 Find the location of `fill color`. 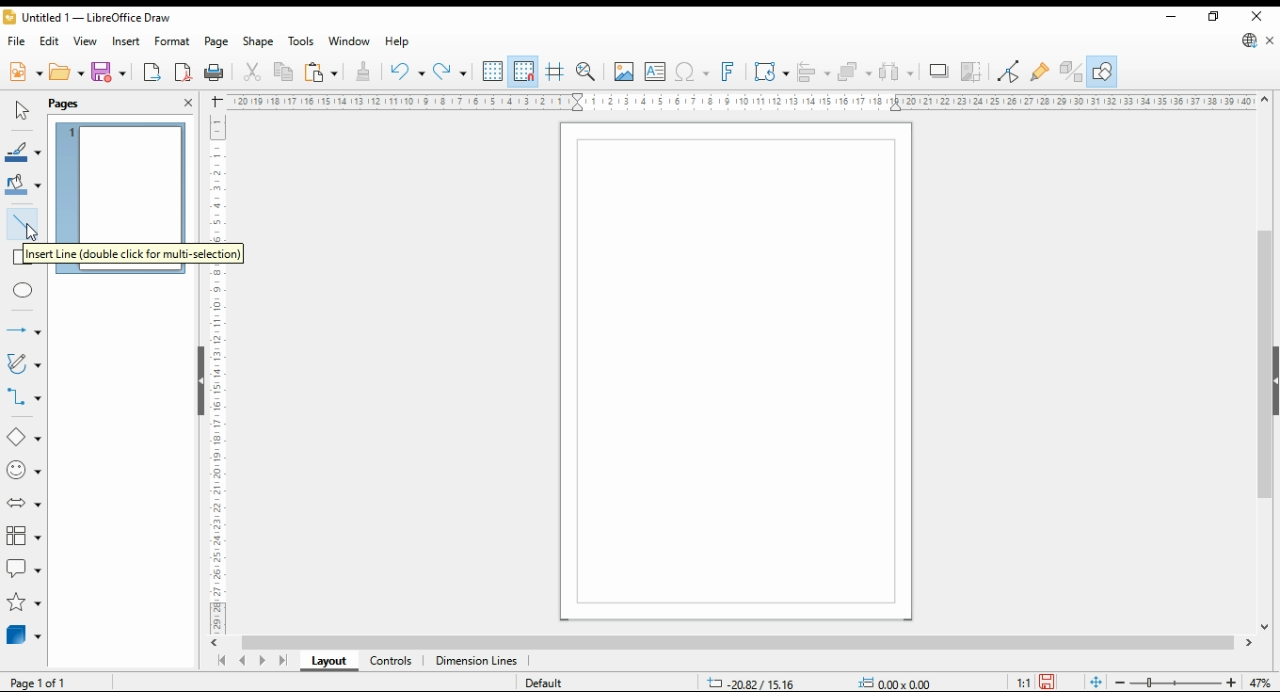

fill color is located at coordinates (22, 184).